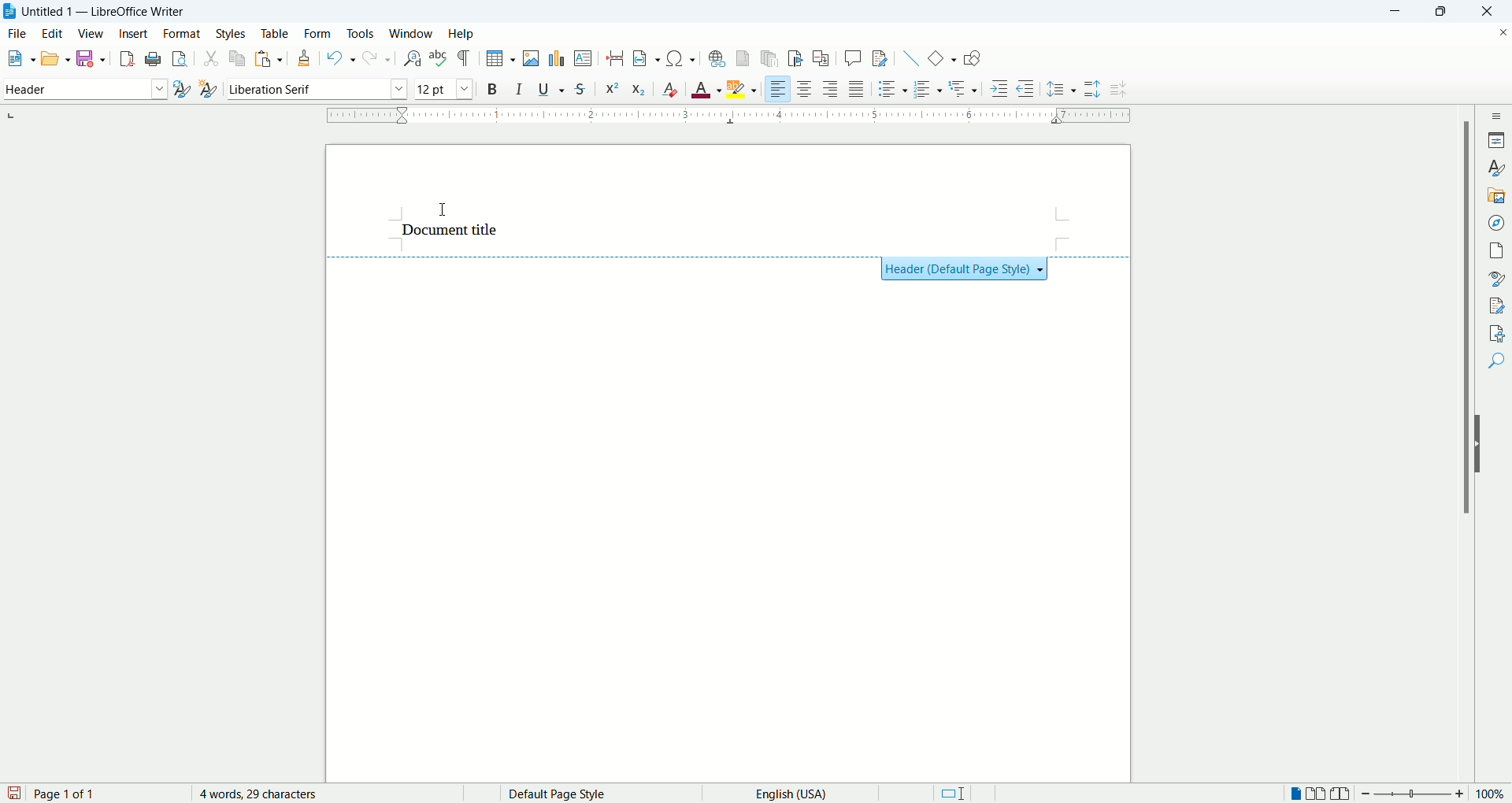 This screenshot has width=1512, height=803. I want to click on insert line, so click(912, 57).